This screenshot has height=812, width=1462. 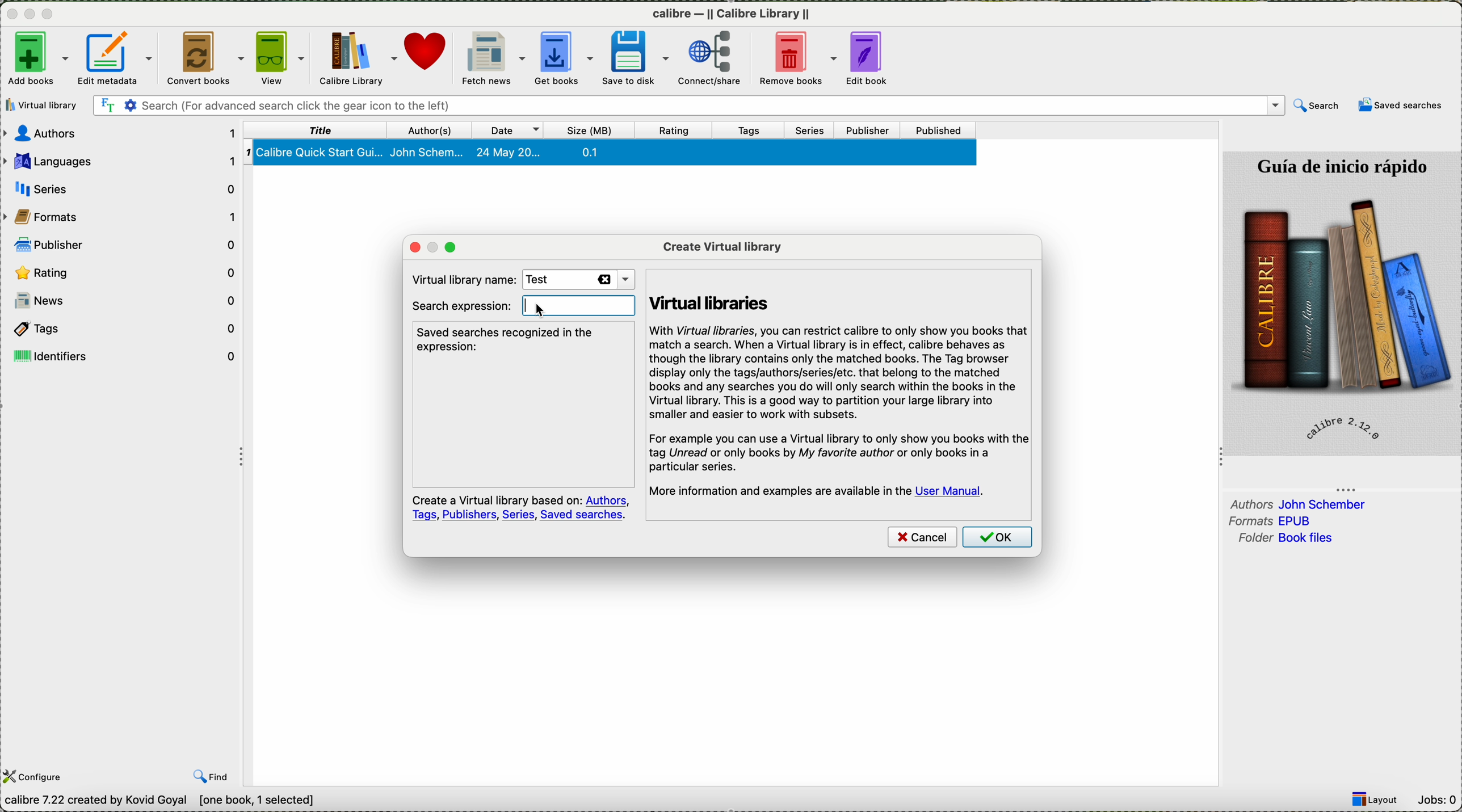 I want to click on publisher, so click(x=126, y=243).